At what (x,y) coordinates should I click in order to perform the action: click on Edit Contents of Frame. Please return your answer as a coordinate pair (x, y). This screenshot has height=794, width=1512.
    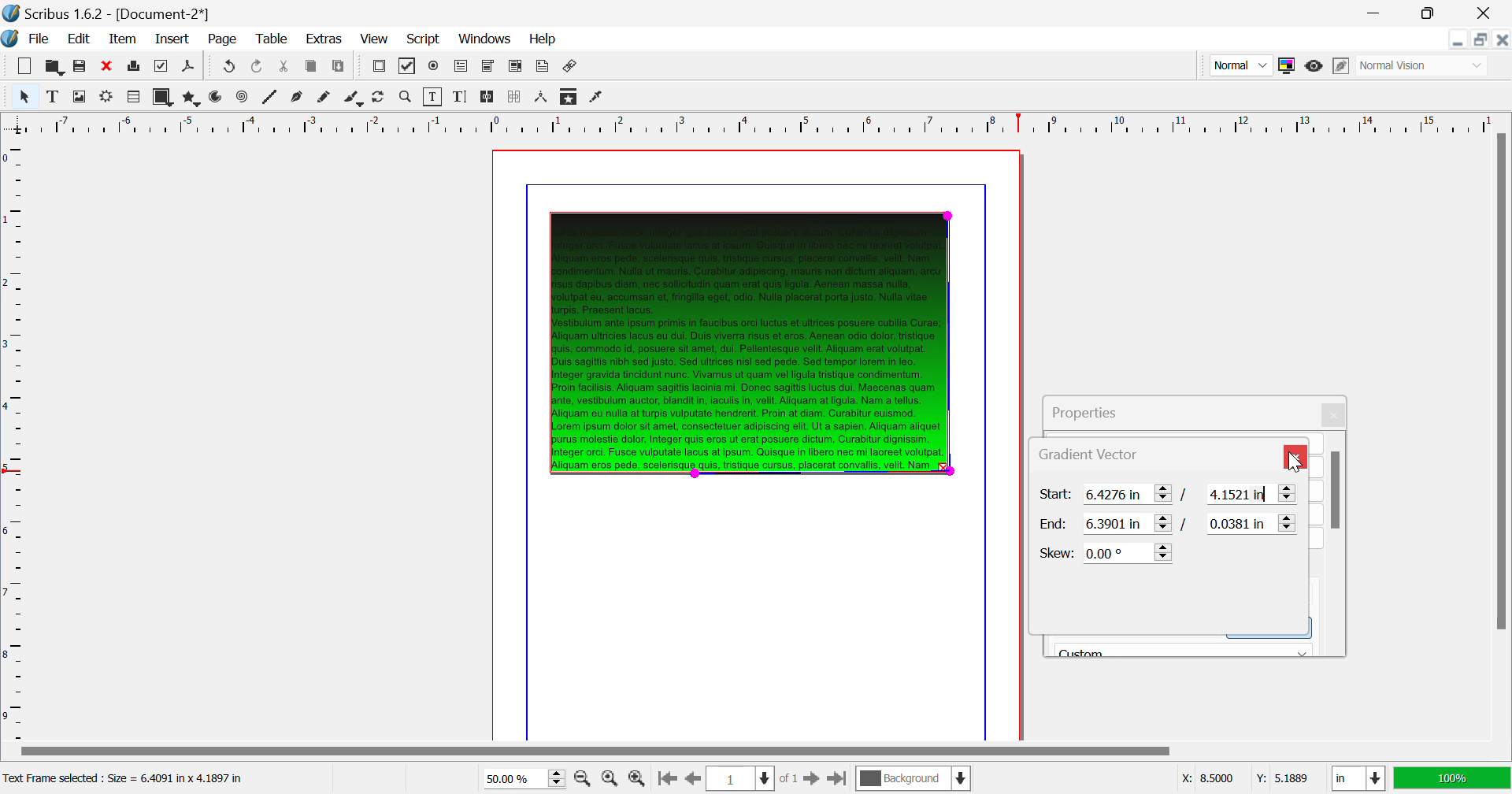
    Looking at the image, I should click on (434, 97).